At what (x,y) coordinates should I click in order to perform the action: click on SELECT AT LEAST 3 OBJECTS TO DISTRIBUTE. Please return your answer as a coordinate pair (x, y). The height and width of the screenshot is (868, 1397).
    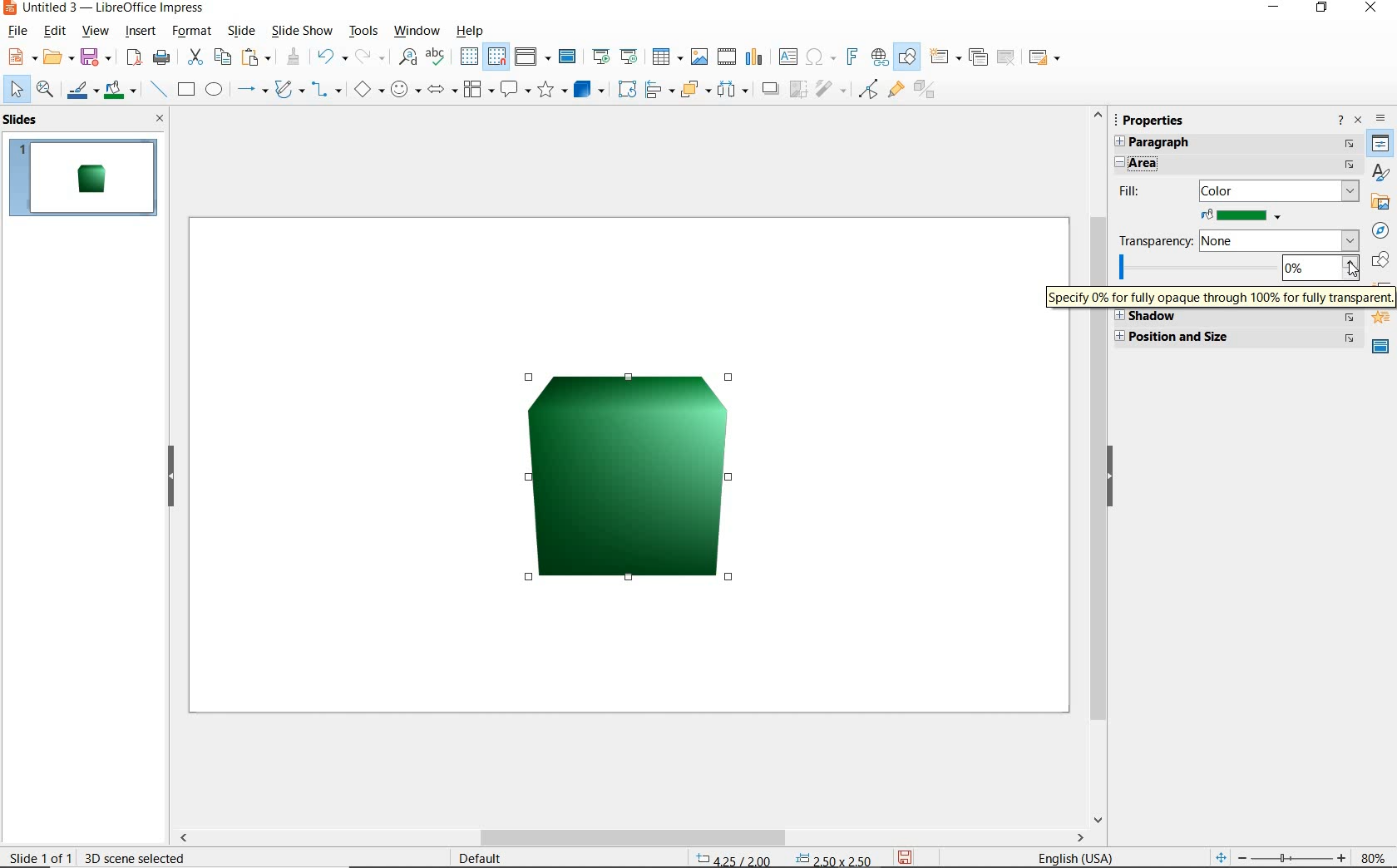
    Looking at the image, I should click on (735, 91).